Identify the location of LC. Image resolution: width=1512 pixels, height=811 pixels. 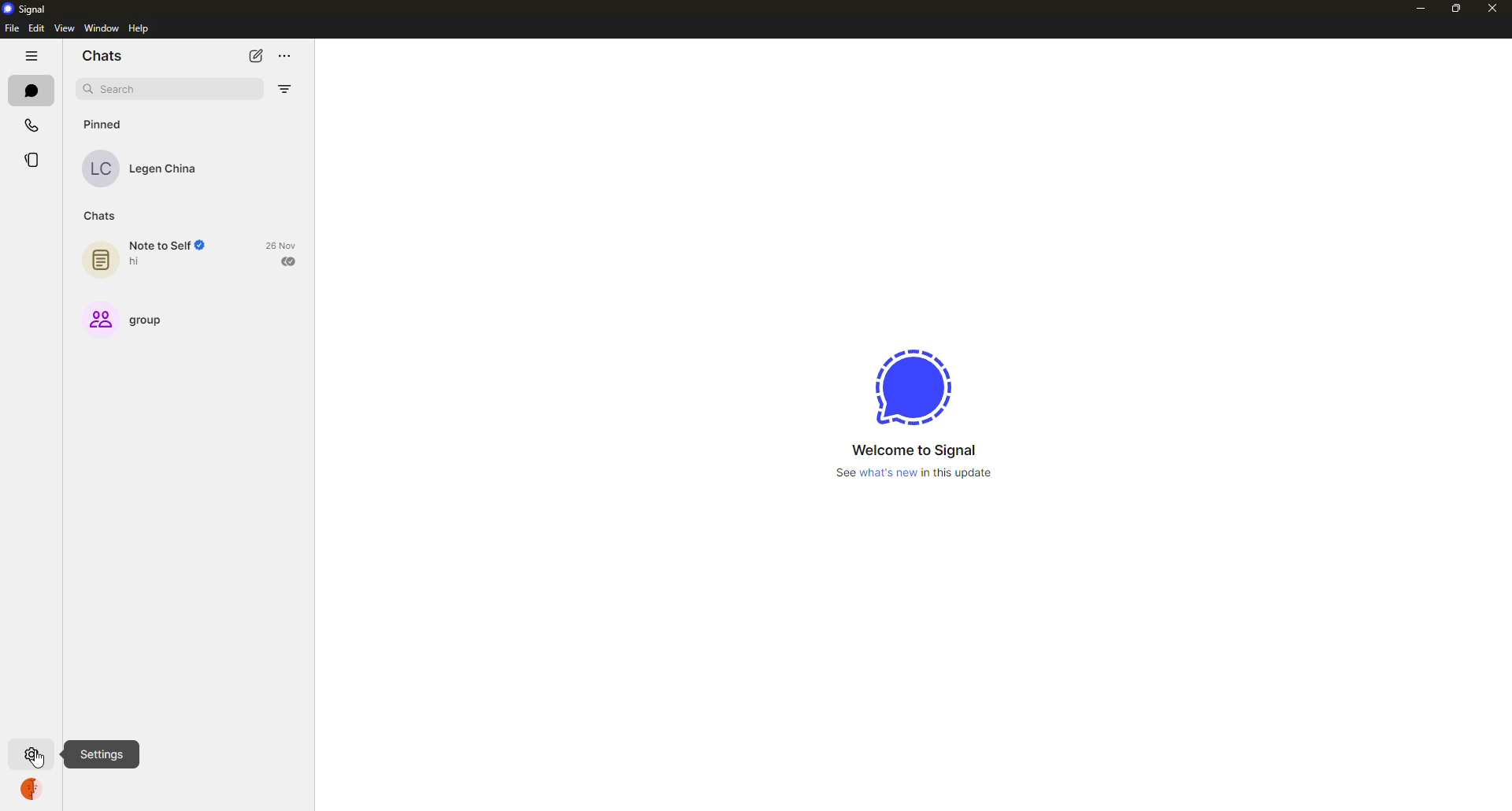
(102, 169).